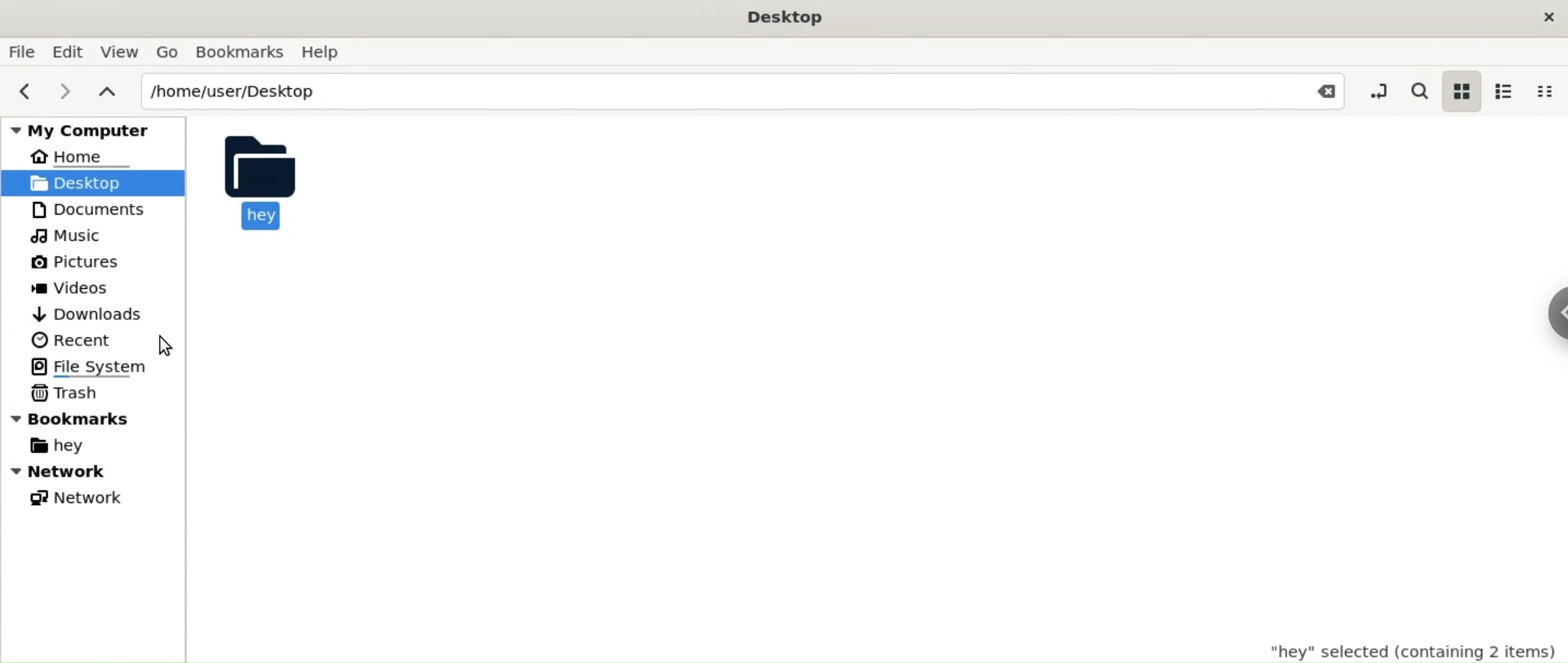  Describe the element at coordinates (1508, 91) in the screenshot. I see `list view` at that location.